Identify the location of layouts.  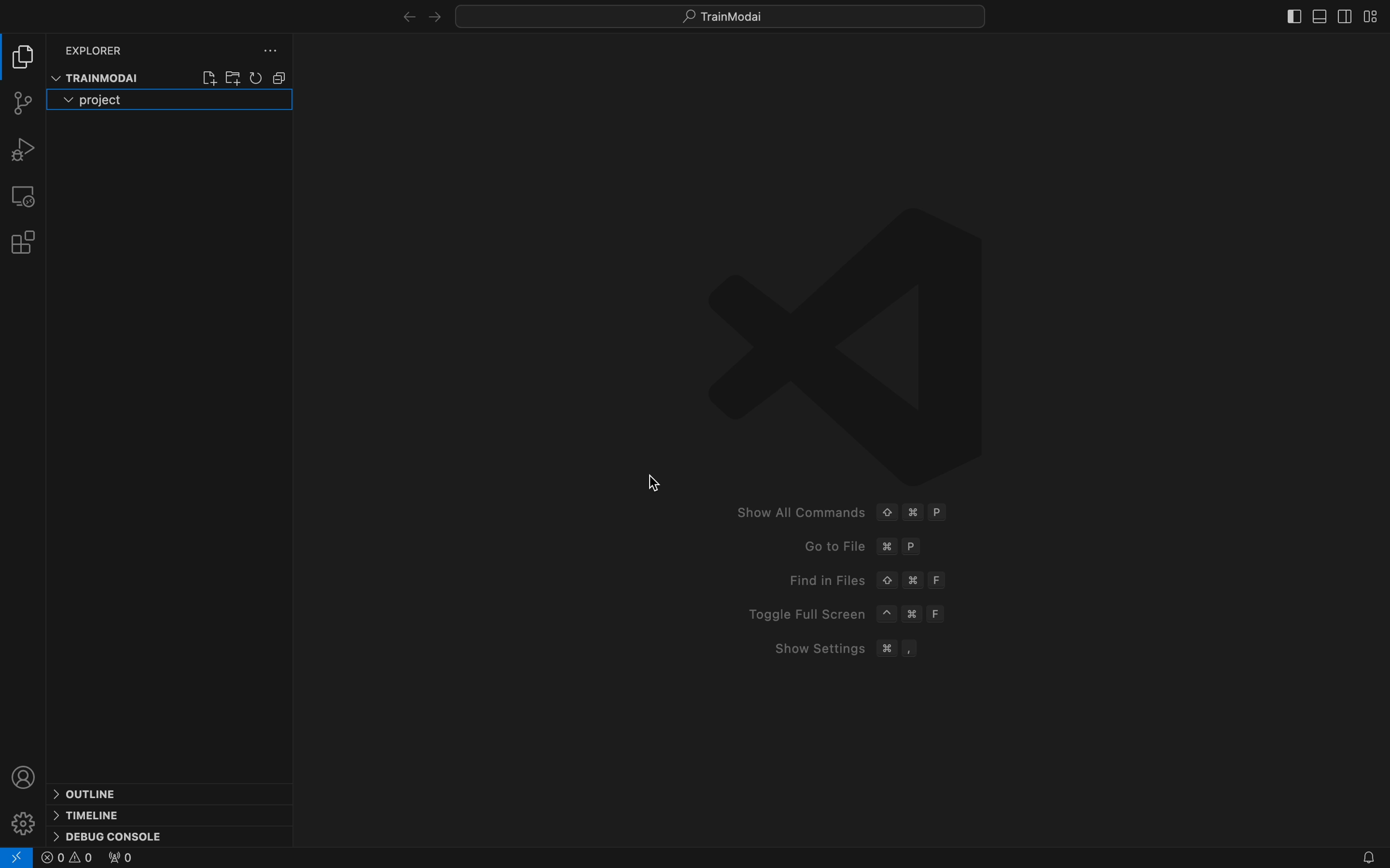
(1374, 15).